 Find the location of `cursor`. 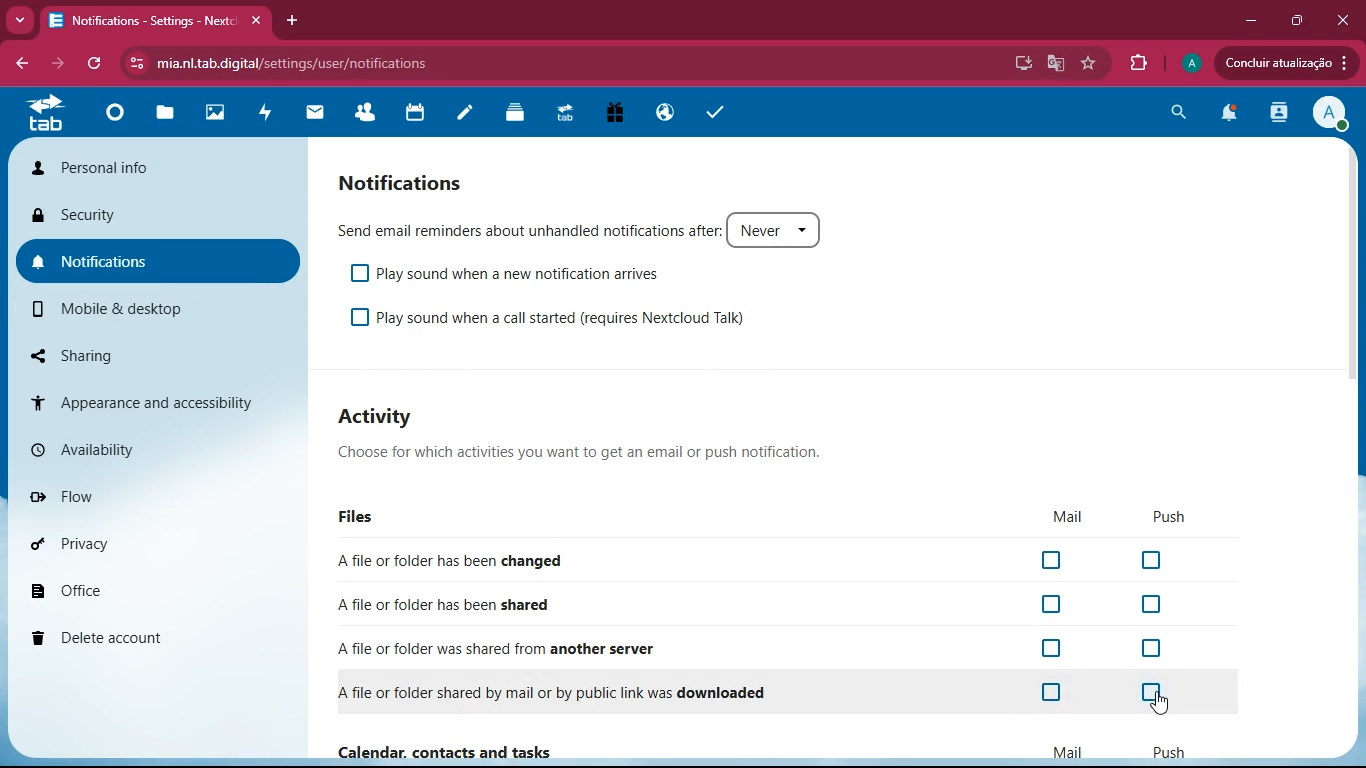

cursor is located at coordinates (1166, 709).